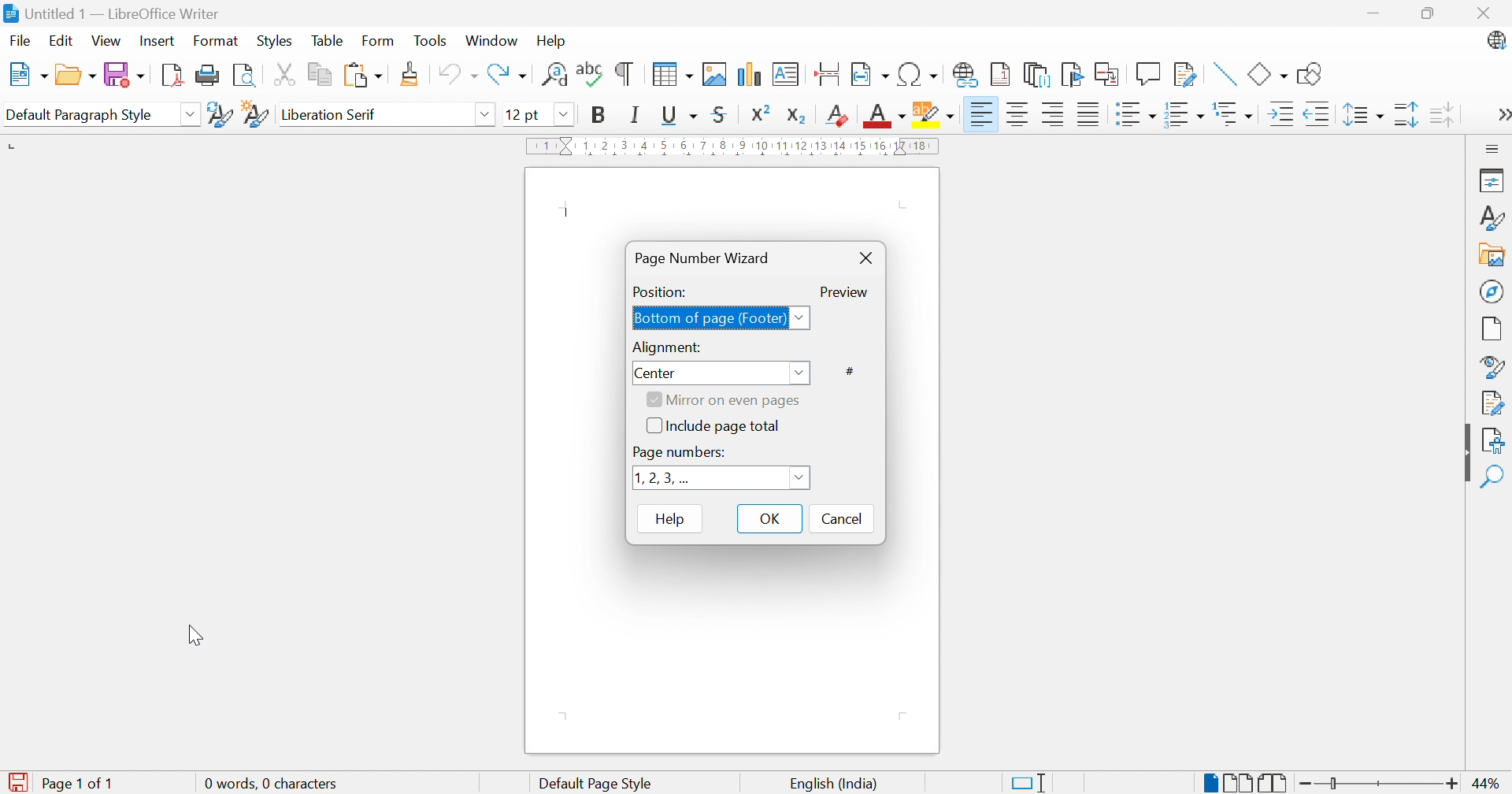 The height and width of the screenshot is (794, 1512). Describe the element at coordinates (1072, 75) in the screenshot. I see `Insert bookmark` at that location.